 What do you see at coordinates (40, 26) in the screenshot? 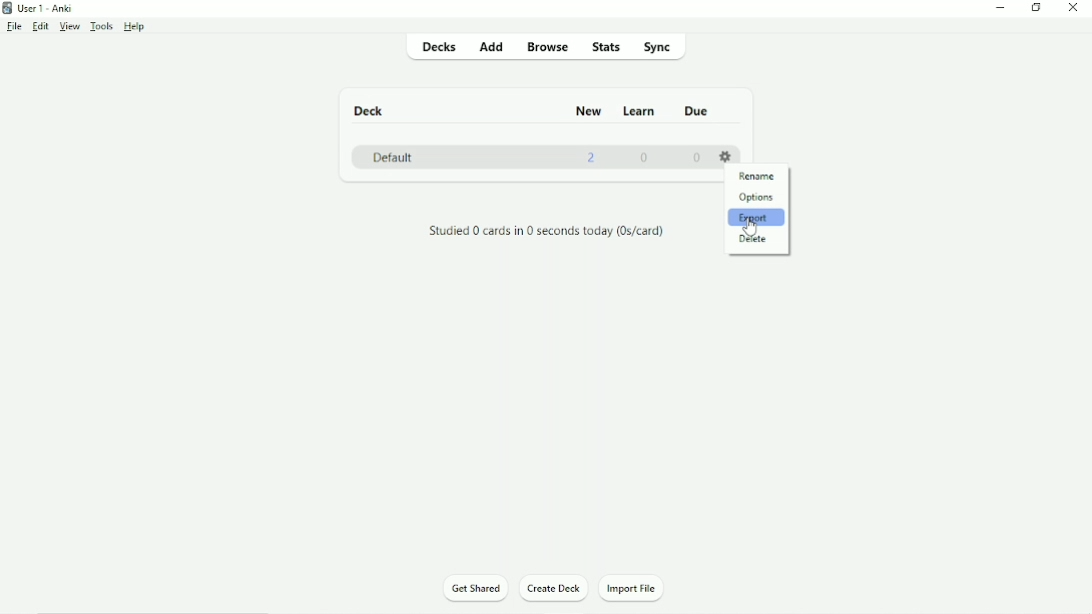
I see `Edit` at bounding box center [40, 26].